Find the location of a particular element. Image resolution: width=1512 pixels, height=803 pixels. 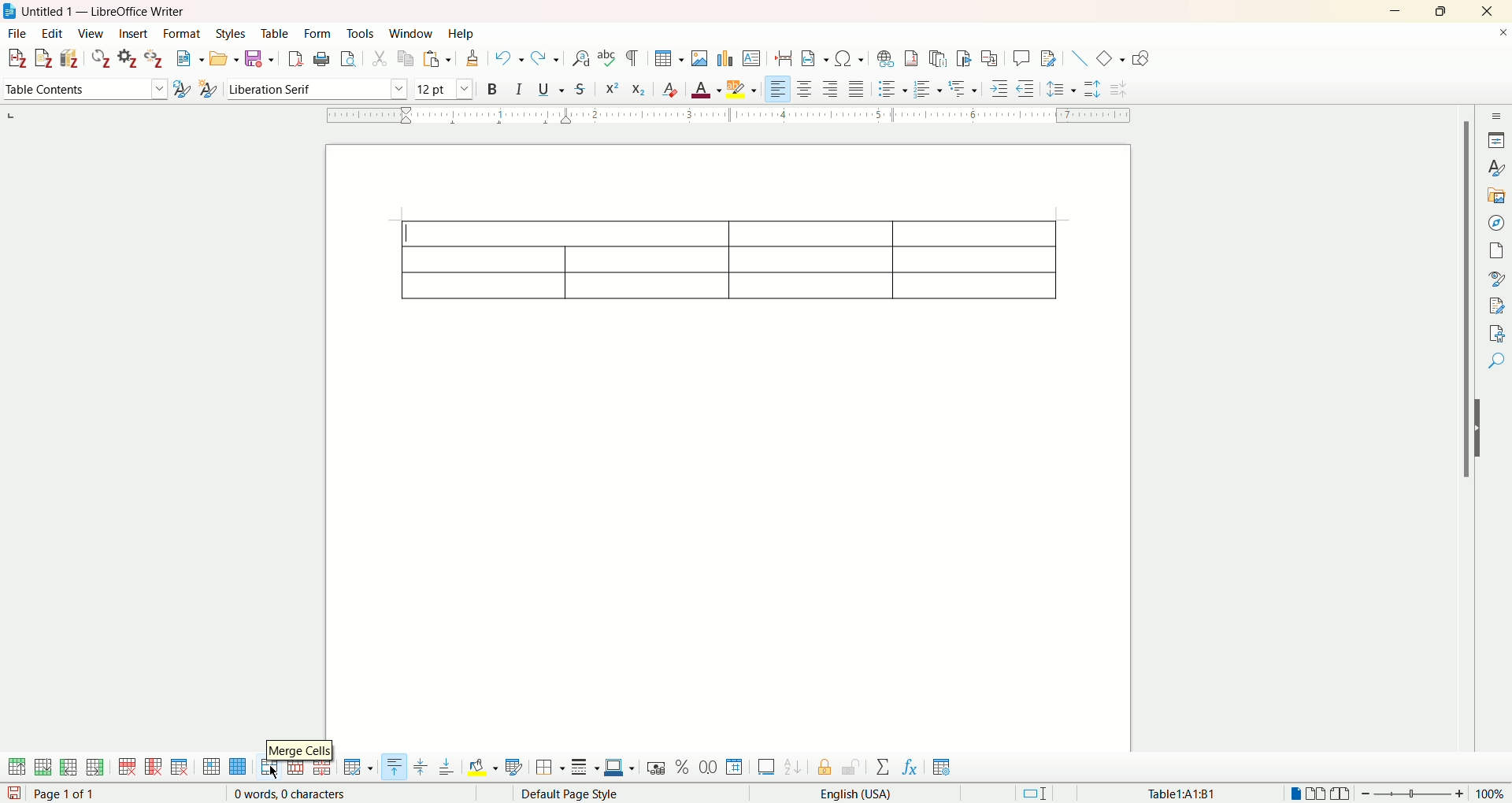

style inspector is located at coordinates (1495, 277).